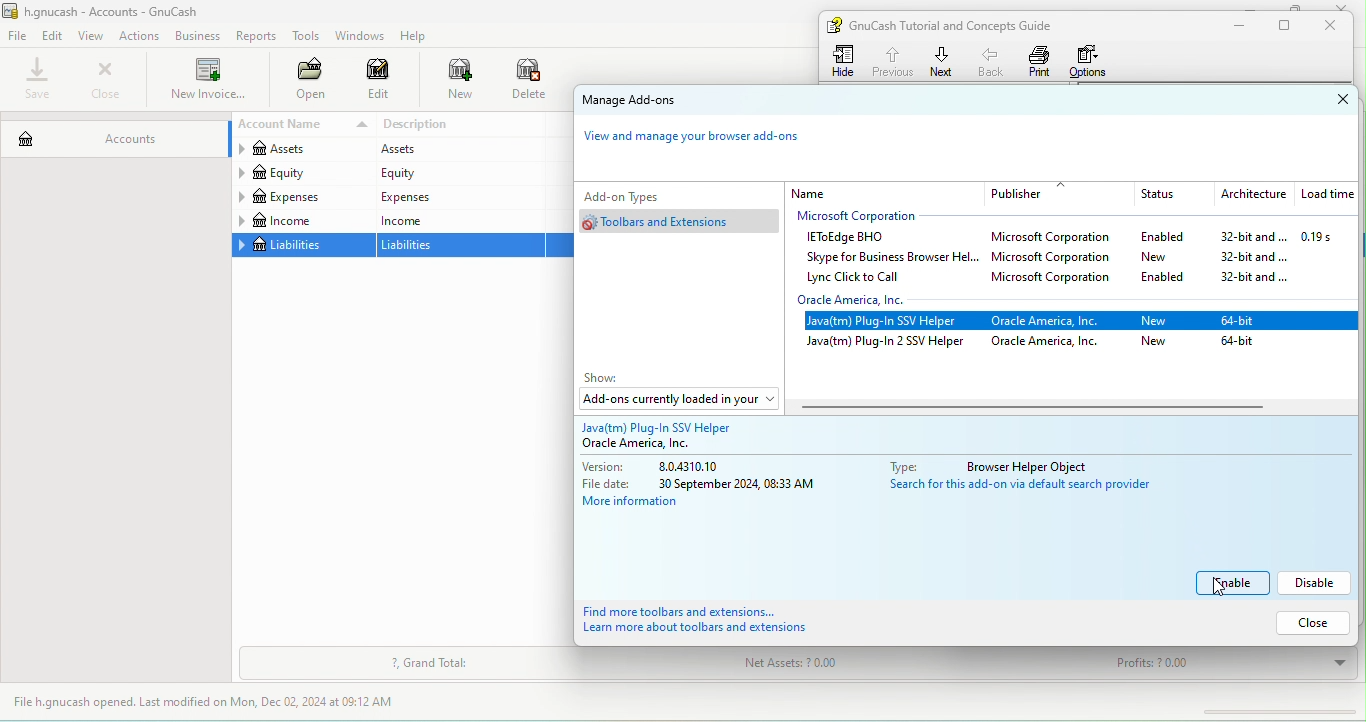 The height and width of the screenshot is (722, 1366). I want to click on java (tm) plug ln ssv helper, so click(887, 322).